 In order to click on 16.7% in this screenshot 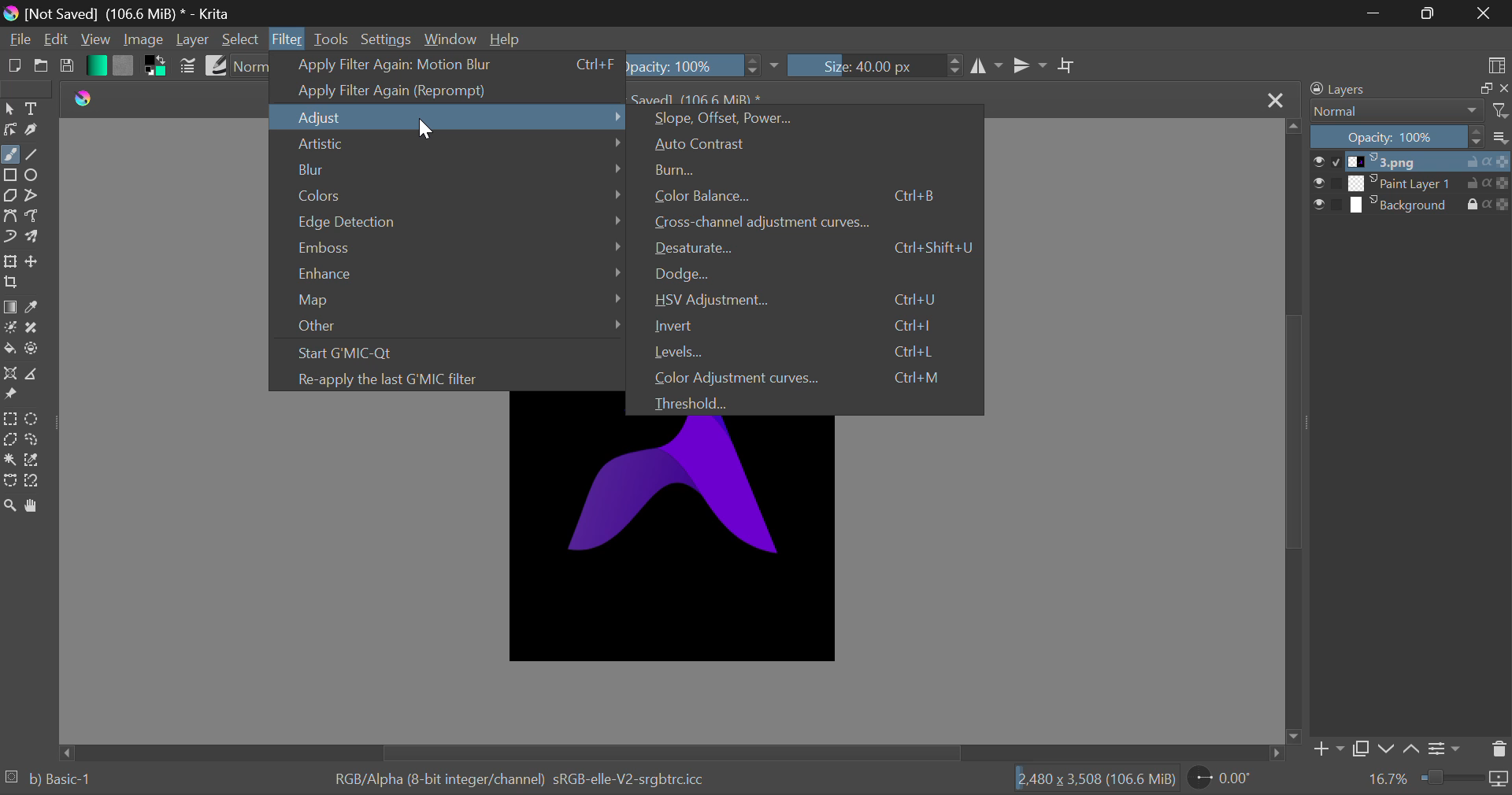, I will do `click(1381, 780)`.